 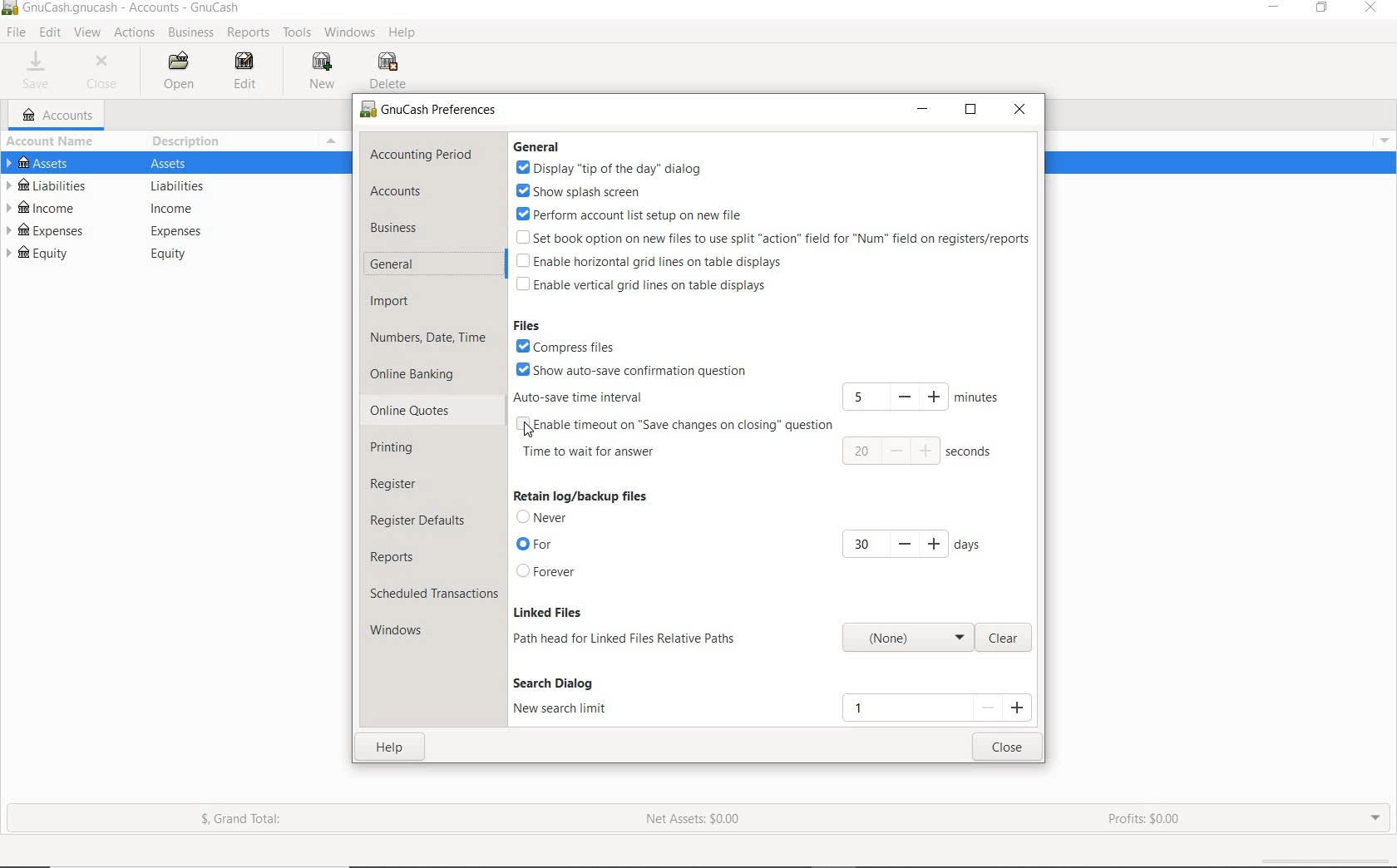 What do you see at coordinates (923, 111) in the screenshot?
I see `MINIMIZE` at bounding box center [923, 111].